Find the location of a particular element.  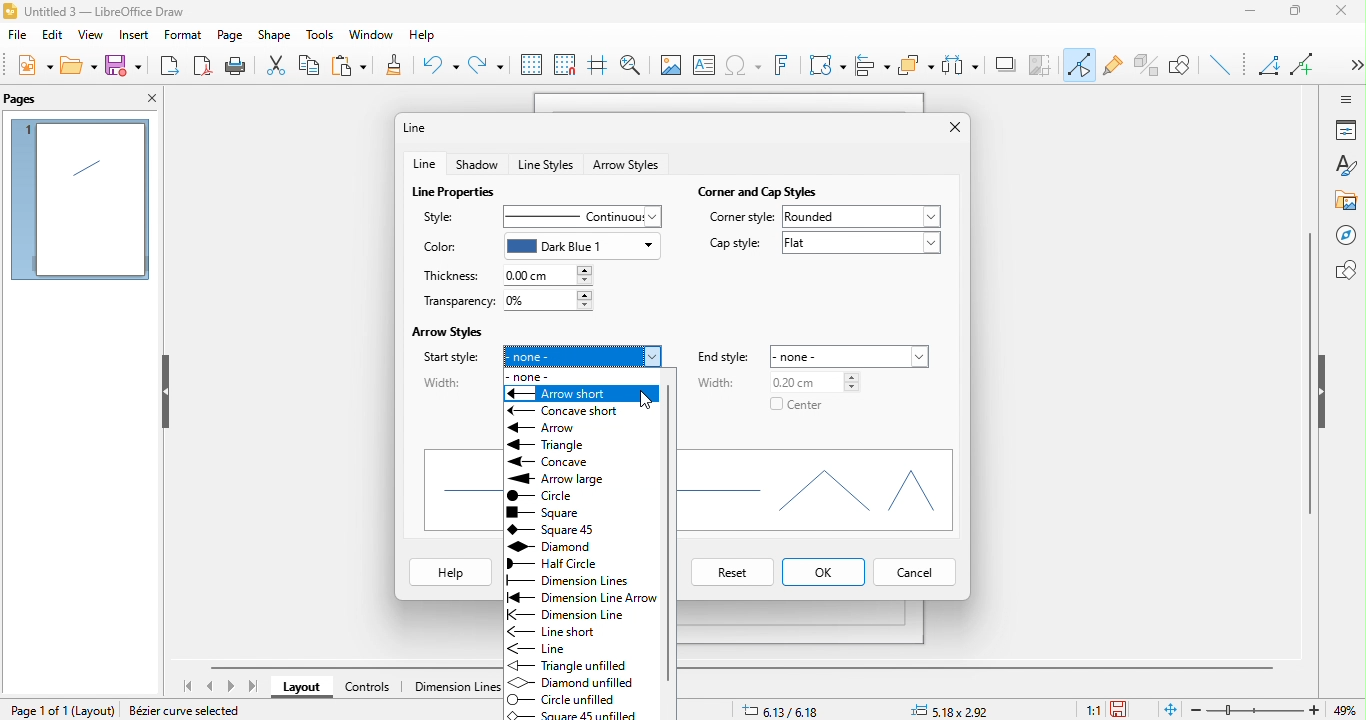

page is located at coordinates (230, 36).